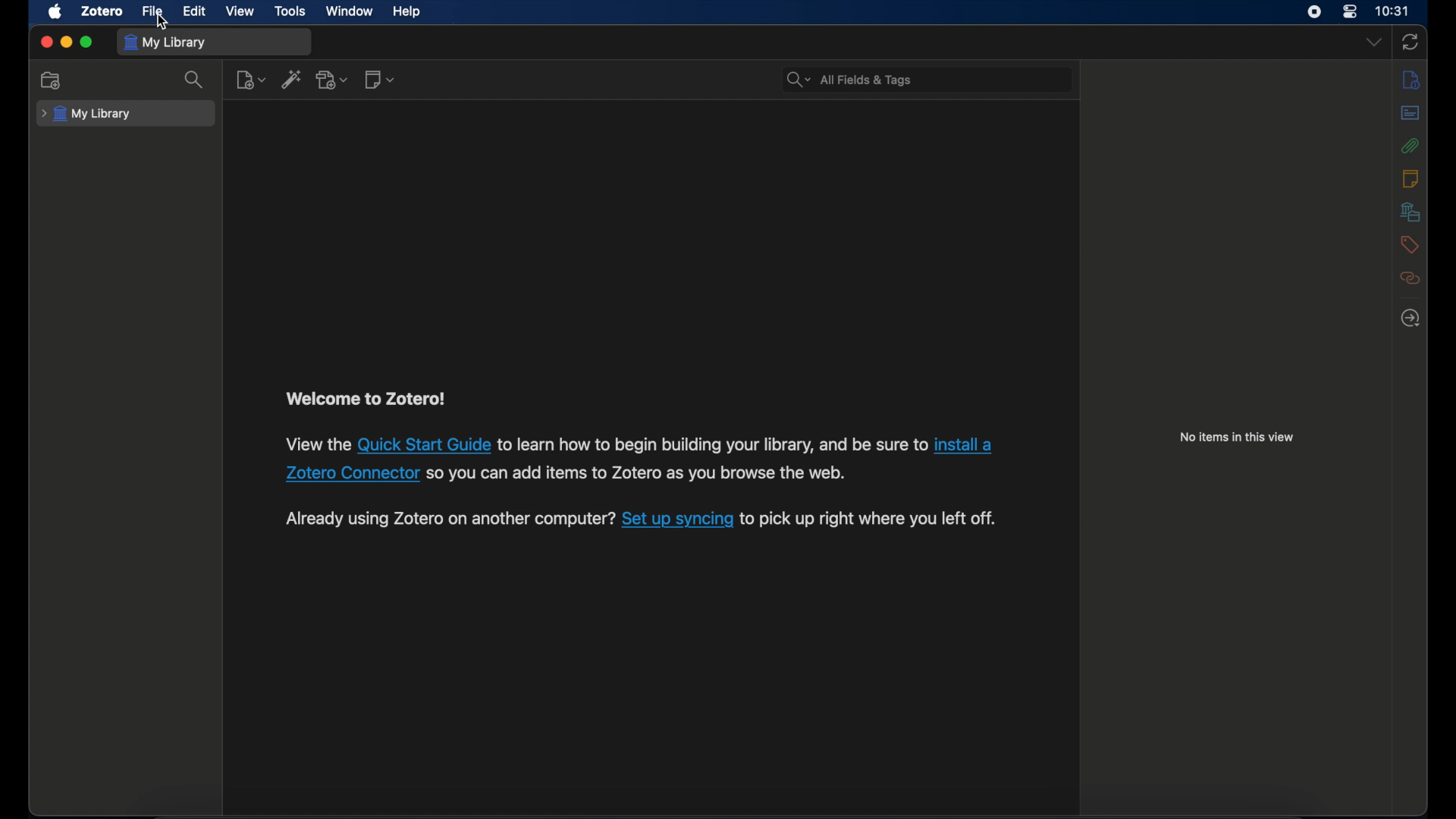 The width and height of the screenshot is (1456, 819). What do you see at coordinates (1409, 318) in the screenshot?
I see `locate` at bounding box center [1409, 318].